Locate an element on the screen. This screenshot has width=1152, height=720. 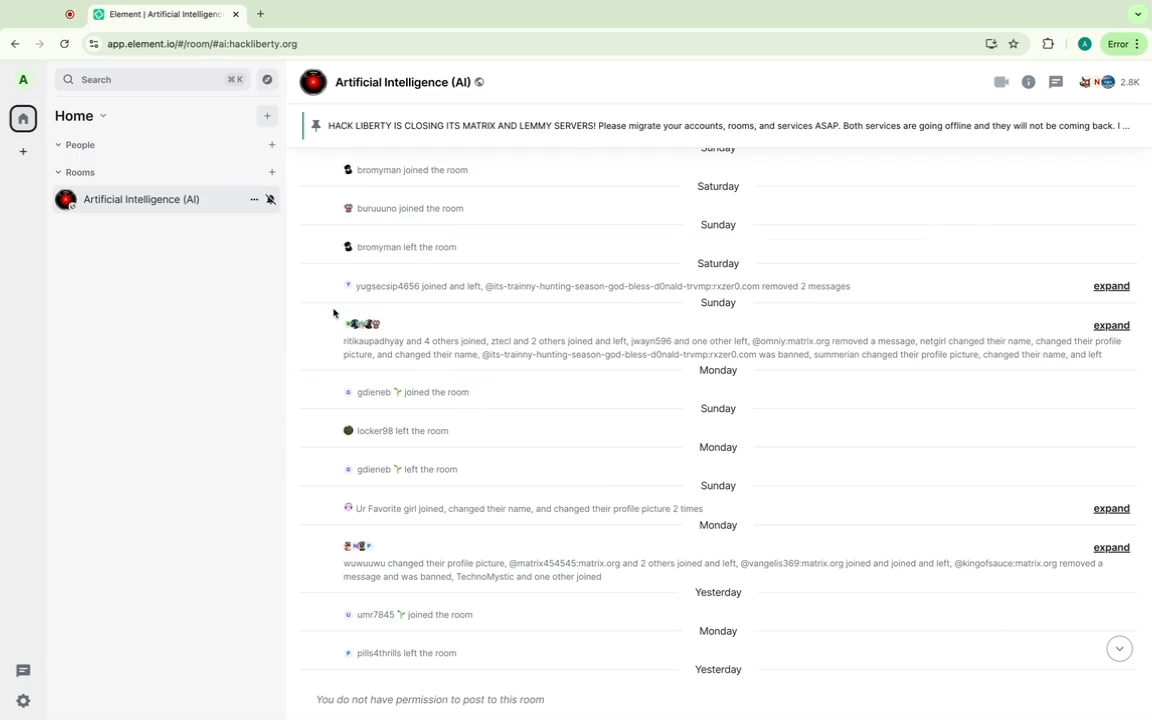
Expand is located at coordinates (1115, 287).